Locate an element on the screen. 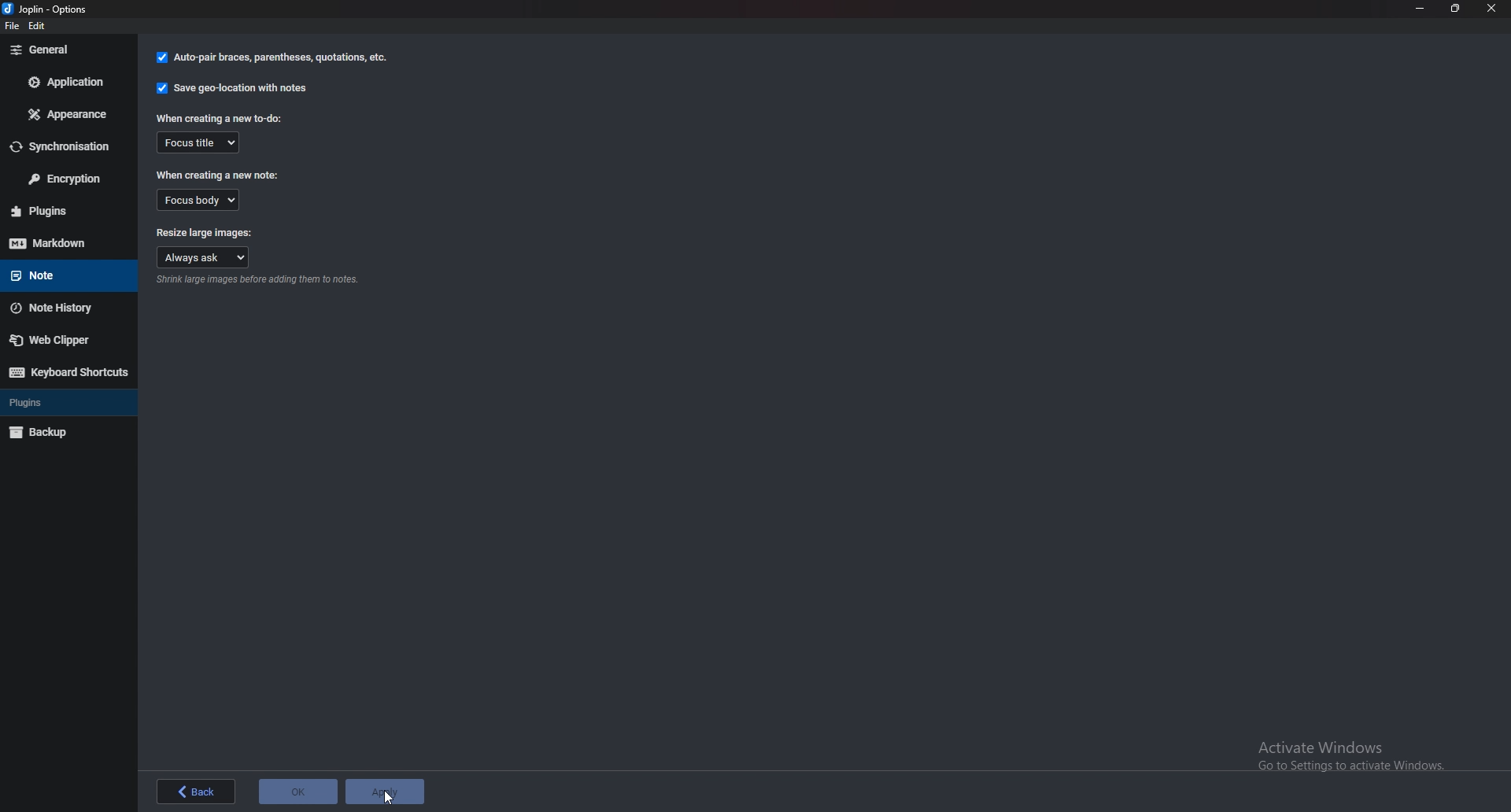 The height and width of the screenshot is (812, 1511). Note history is located at coordinates (65, 309).